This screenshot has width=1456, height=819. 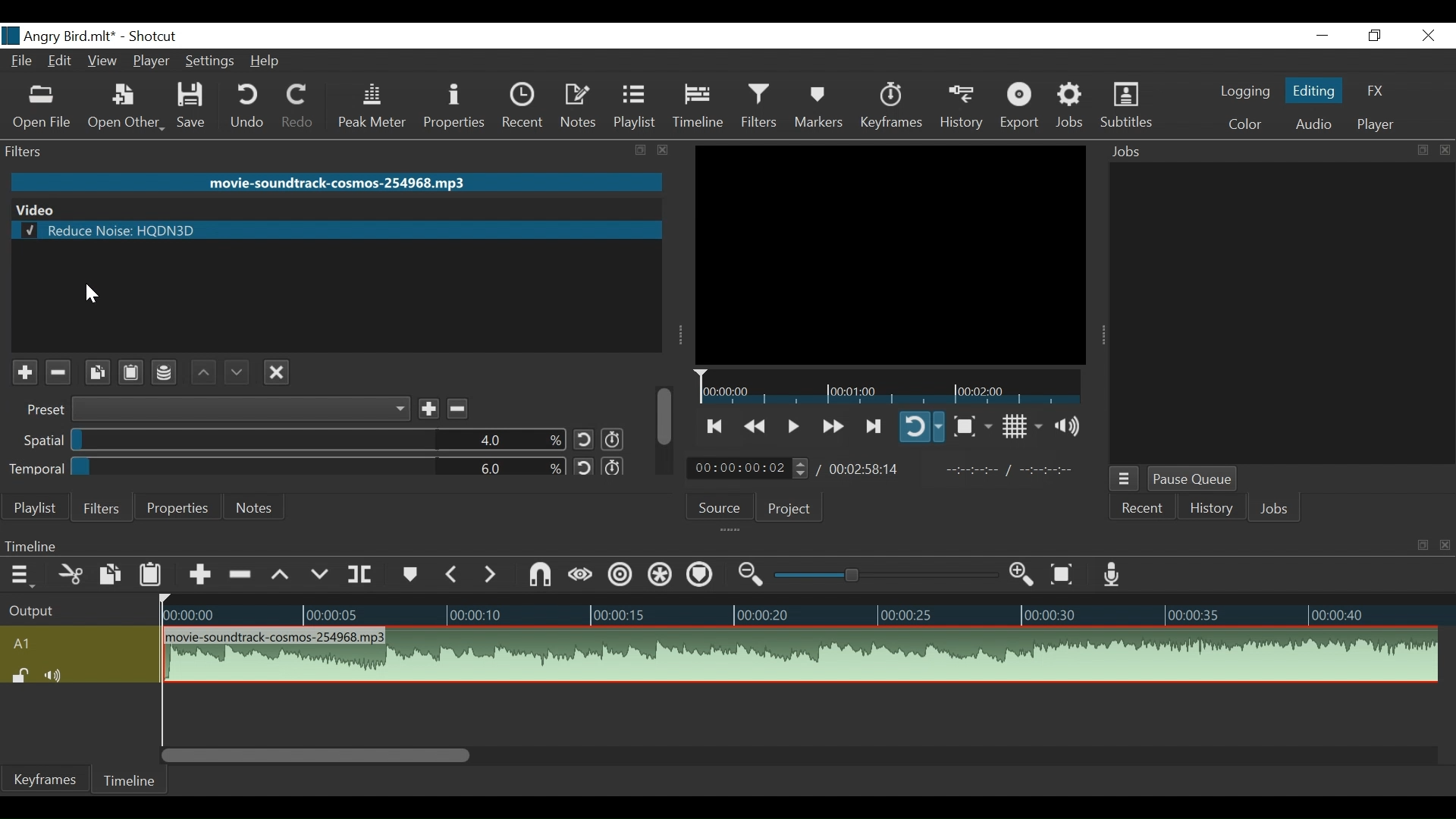 What do you see at coordinates (125, 108) in the screenshot?
I see `Open Other` at bounding box center [125, 108].